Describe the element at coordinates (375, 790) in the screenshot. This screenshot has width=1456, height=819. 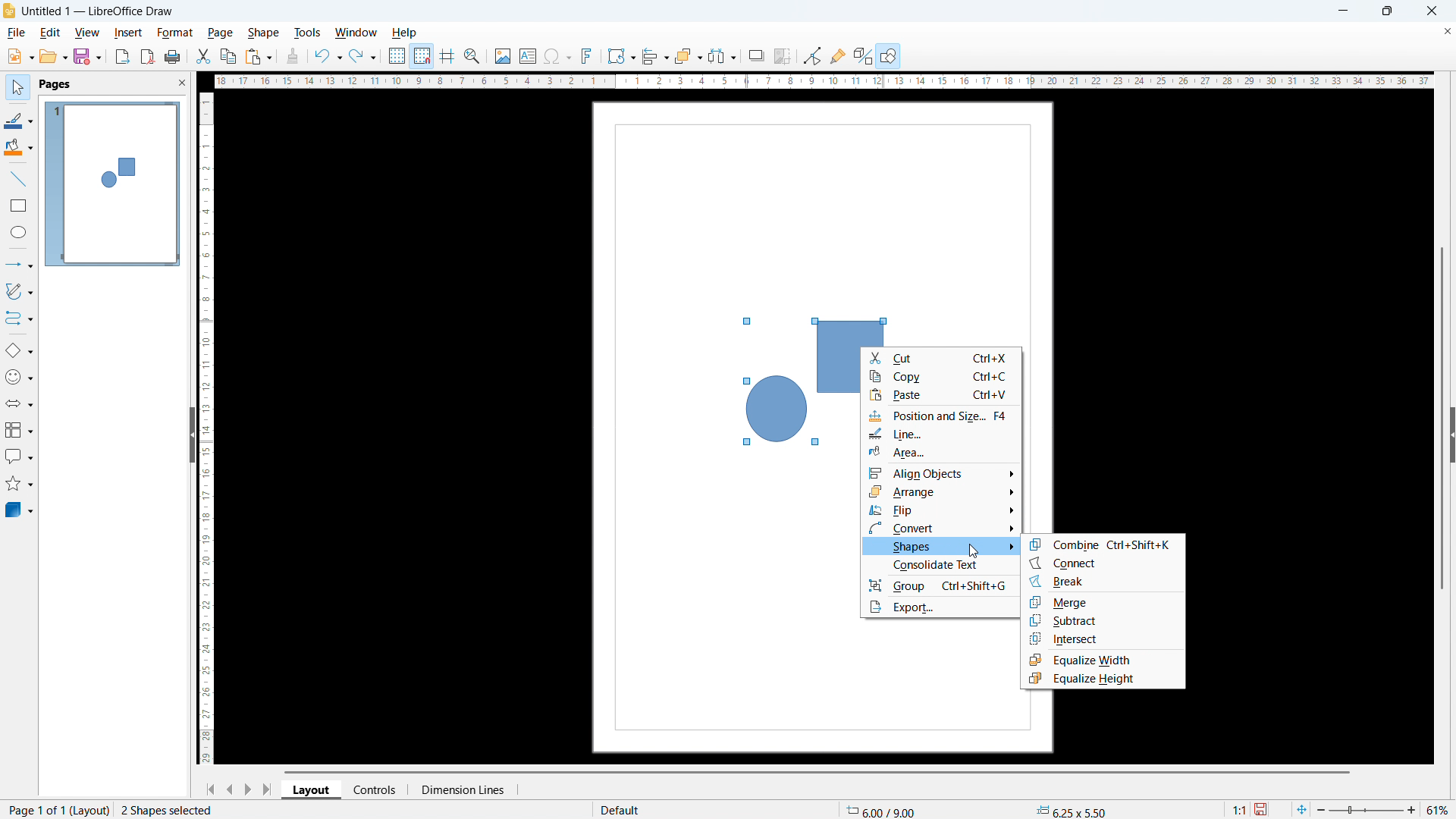
I see `controls` at that location.